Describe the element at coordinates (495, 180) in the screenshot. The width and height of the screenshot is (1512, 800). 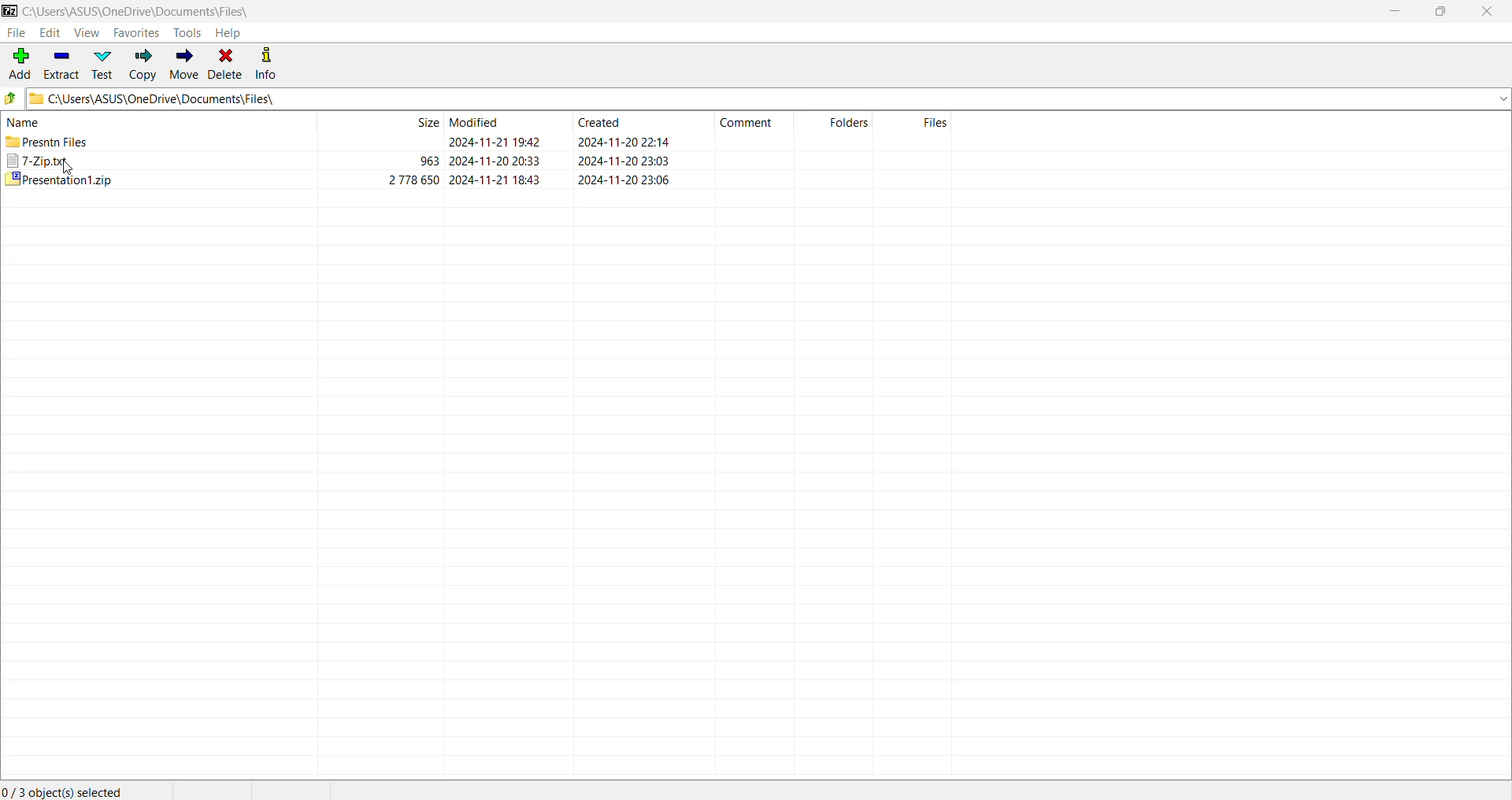
I see `modified date & time` at that location.